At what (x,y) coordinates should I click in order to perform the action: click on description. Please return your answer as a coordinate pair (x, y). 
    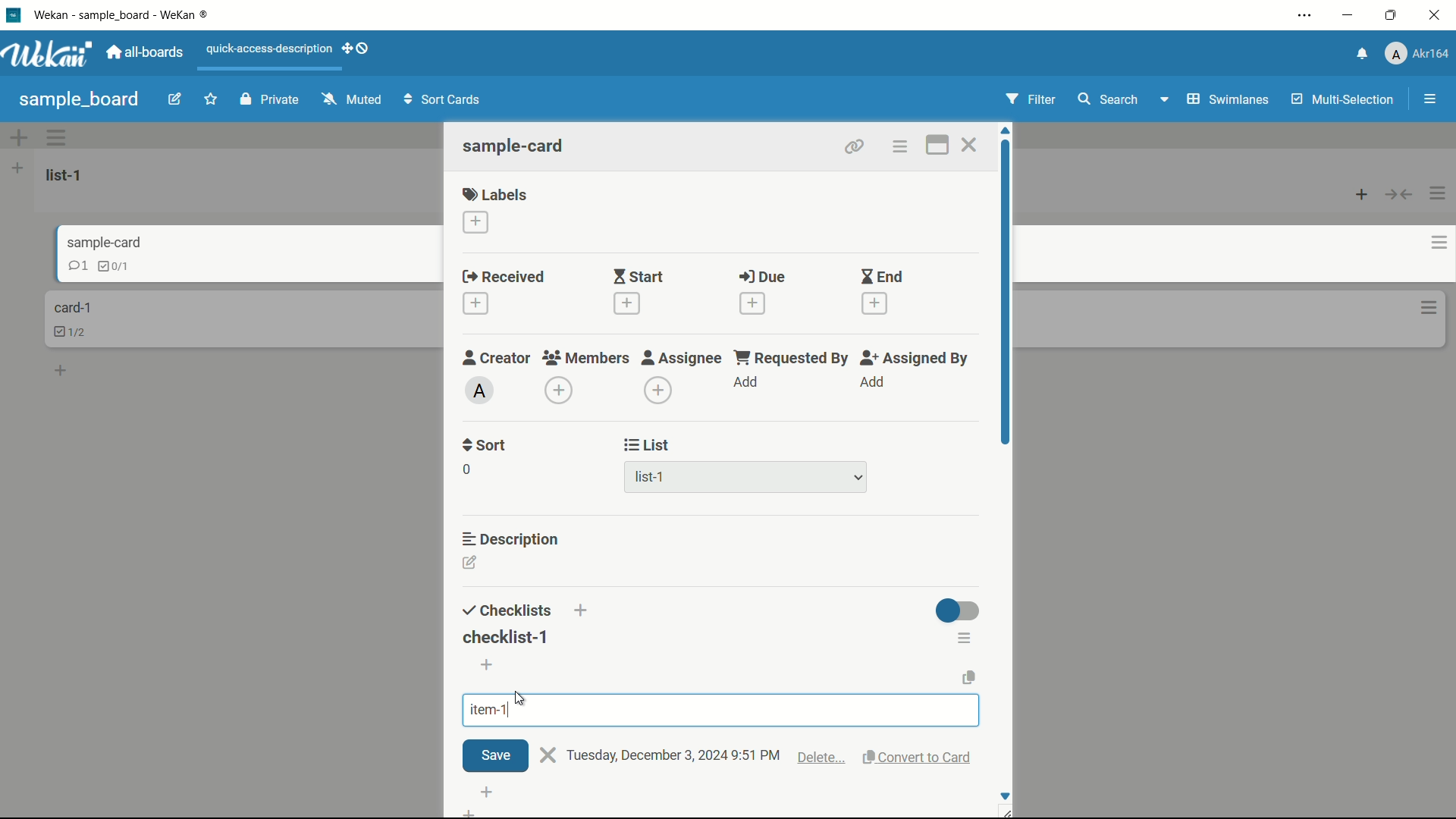
    Looking at the image, I should click on (511, 539).